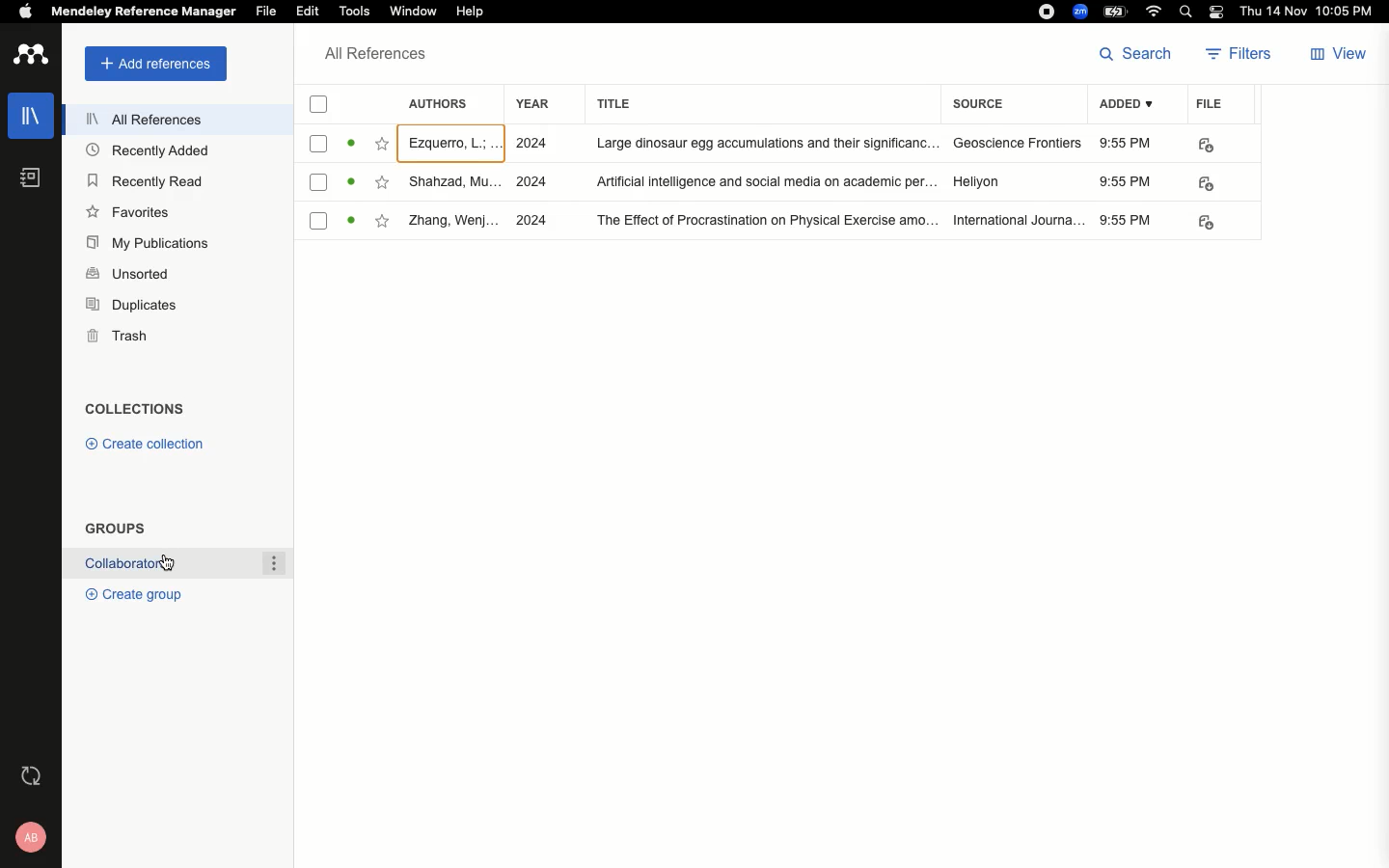 This screenshot has height=868, width=1389. What do you see at coordinates (769, 145) in the screenshot?
I see `title` at bounding box center [769, 145].